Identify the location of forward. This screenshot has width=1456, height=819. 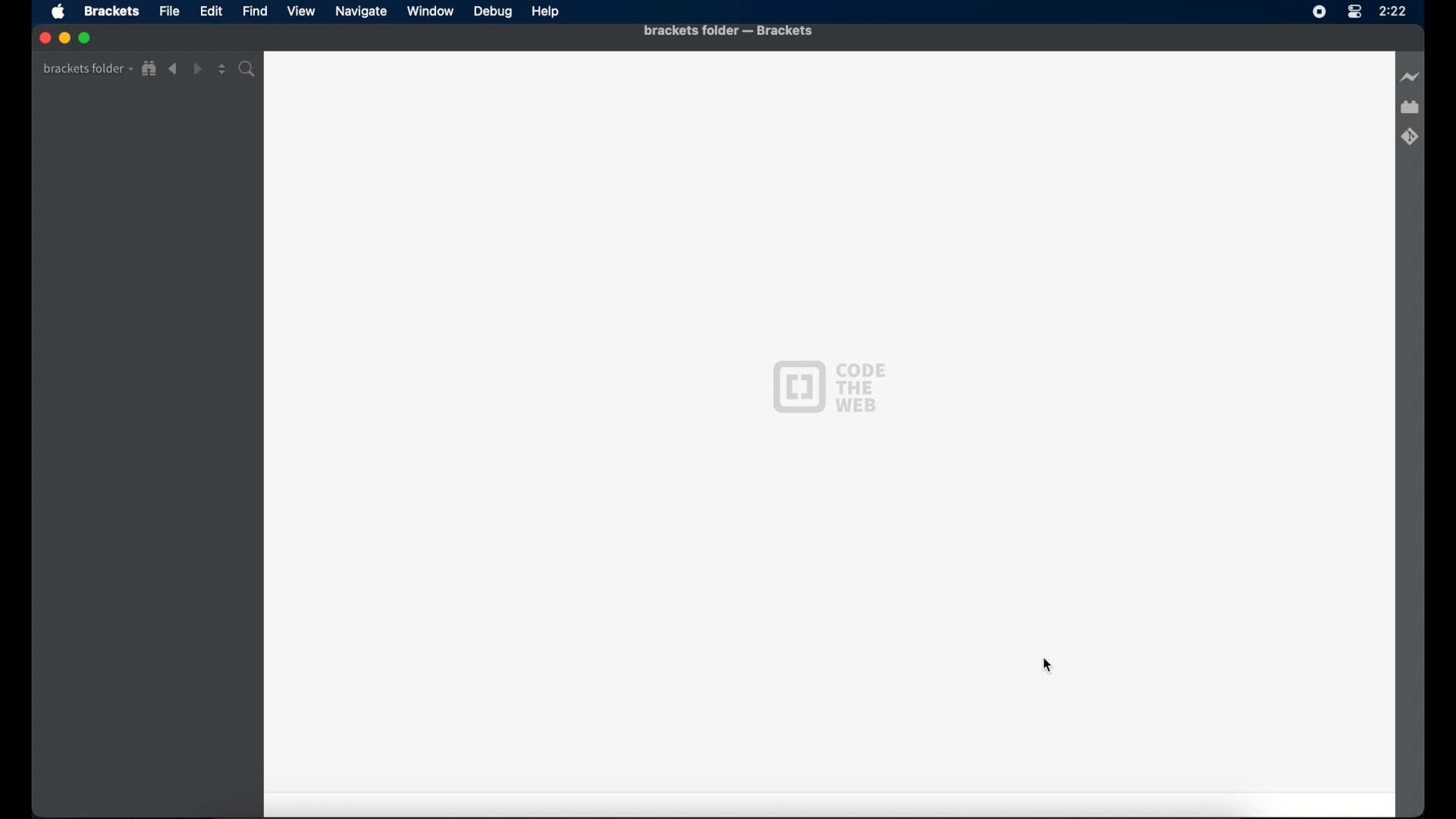
(197, 69).